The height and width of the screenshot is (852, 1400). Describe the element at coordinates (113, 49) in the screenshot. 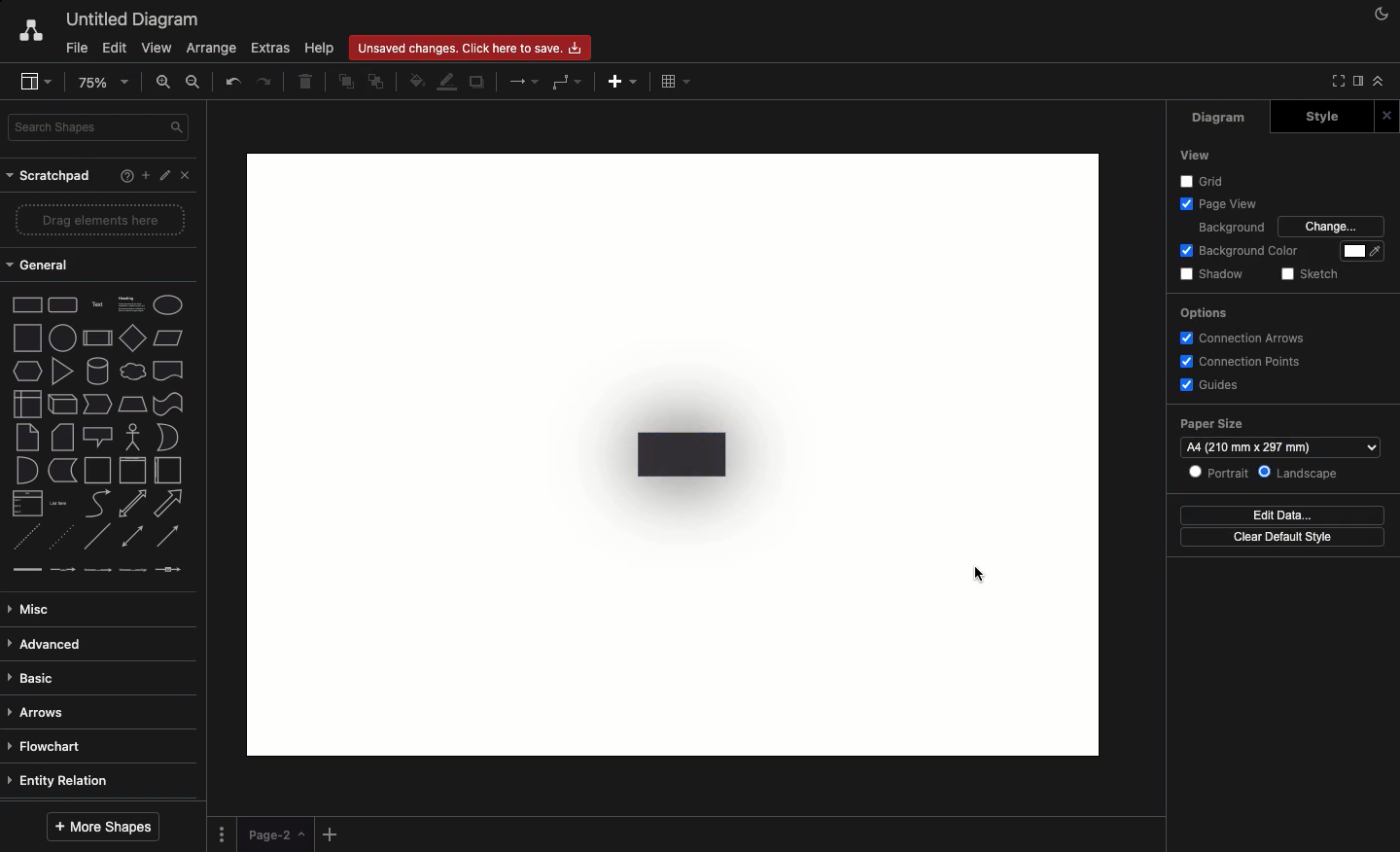

I see `Edit` at that location.